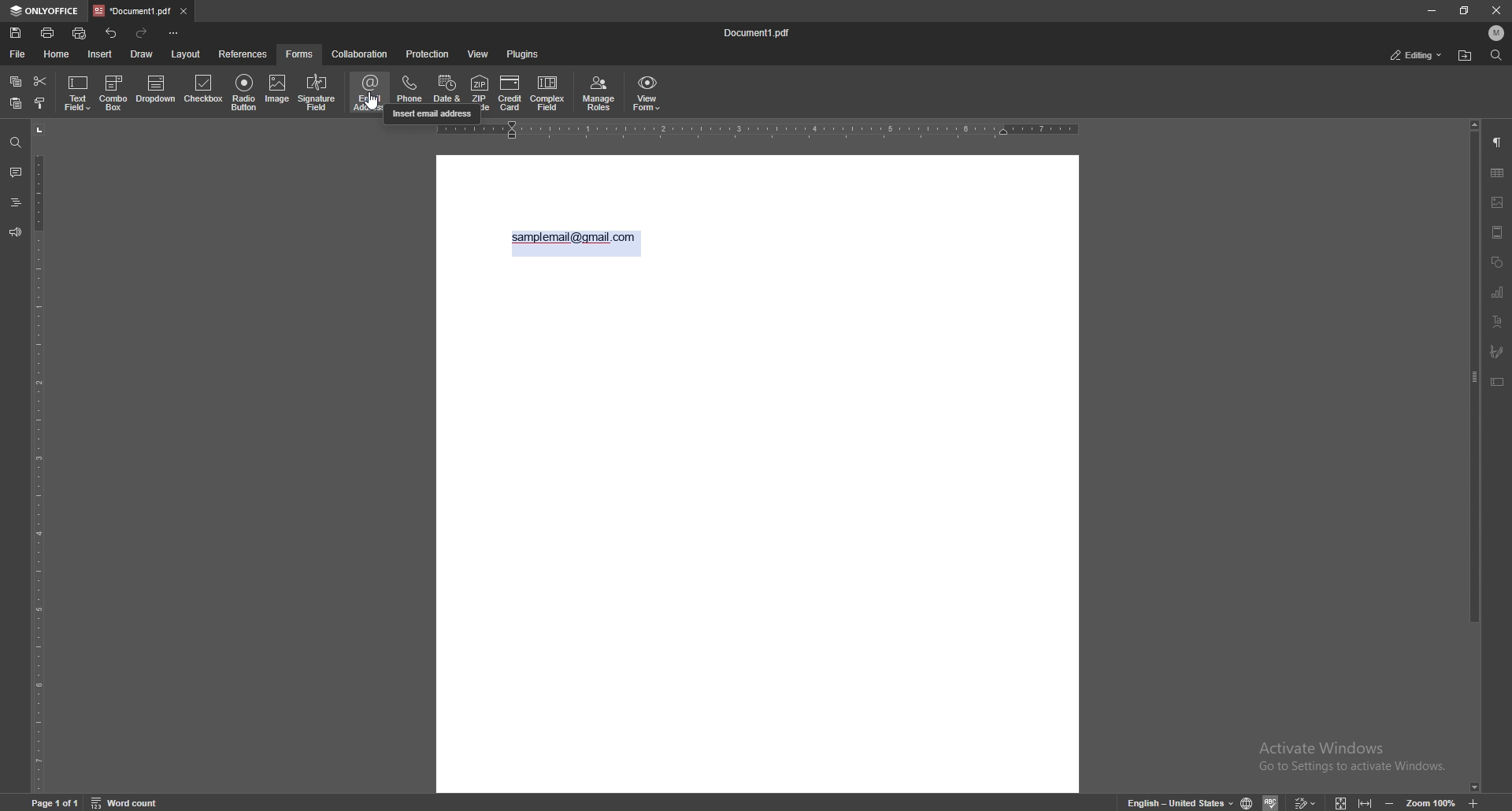  I want to click on chart, so click(1499, 293).